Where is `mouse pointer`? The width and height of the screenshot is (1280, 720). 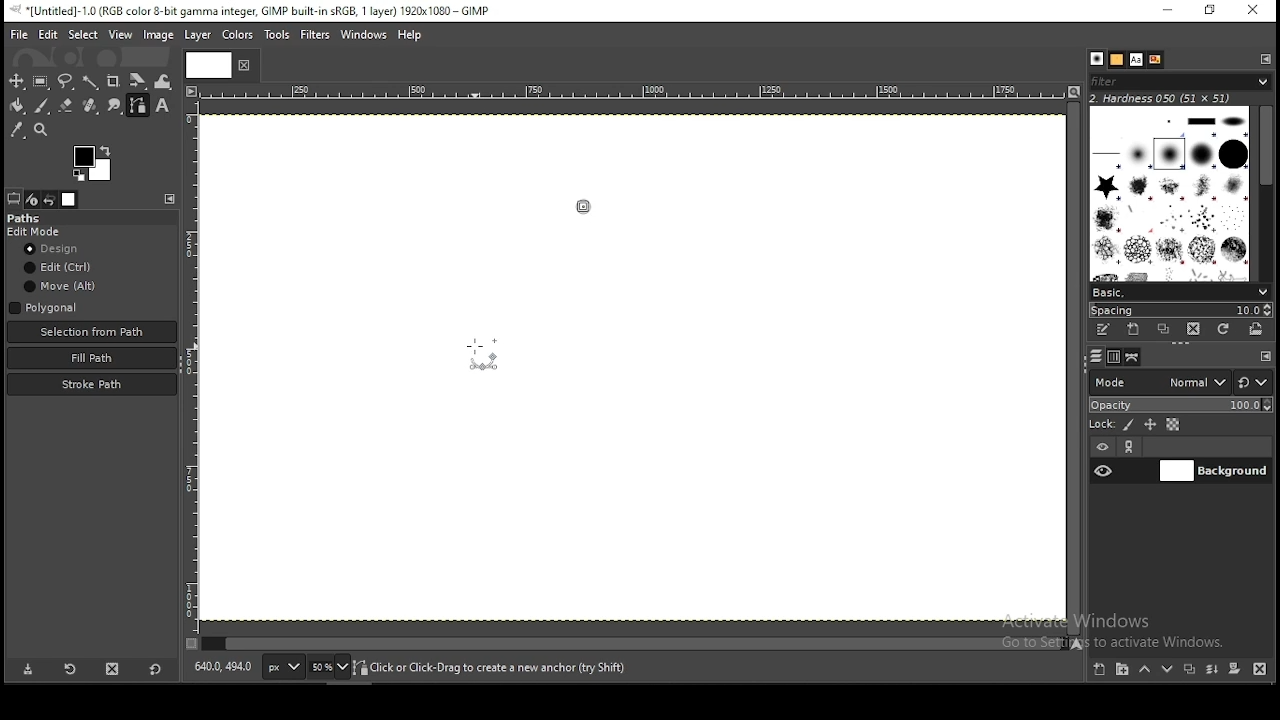
mouse pointer is located at coordinates (482, 348).